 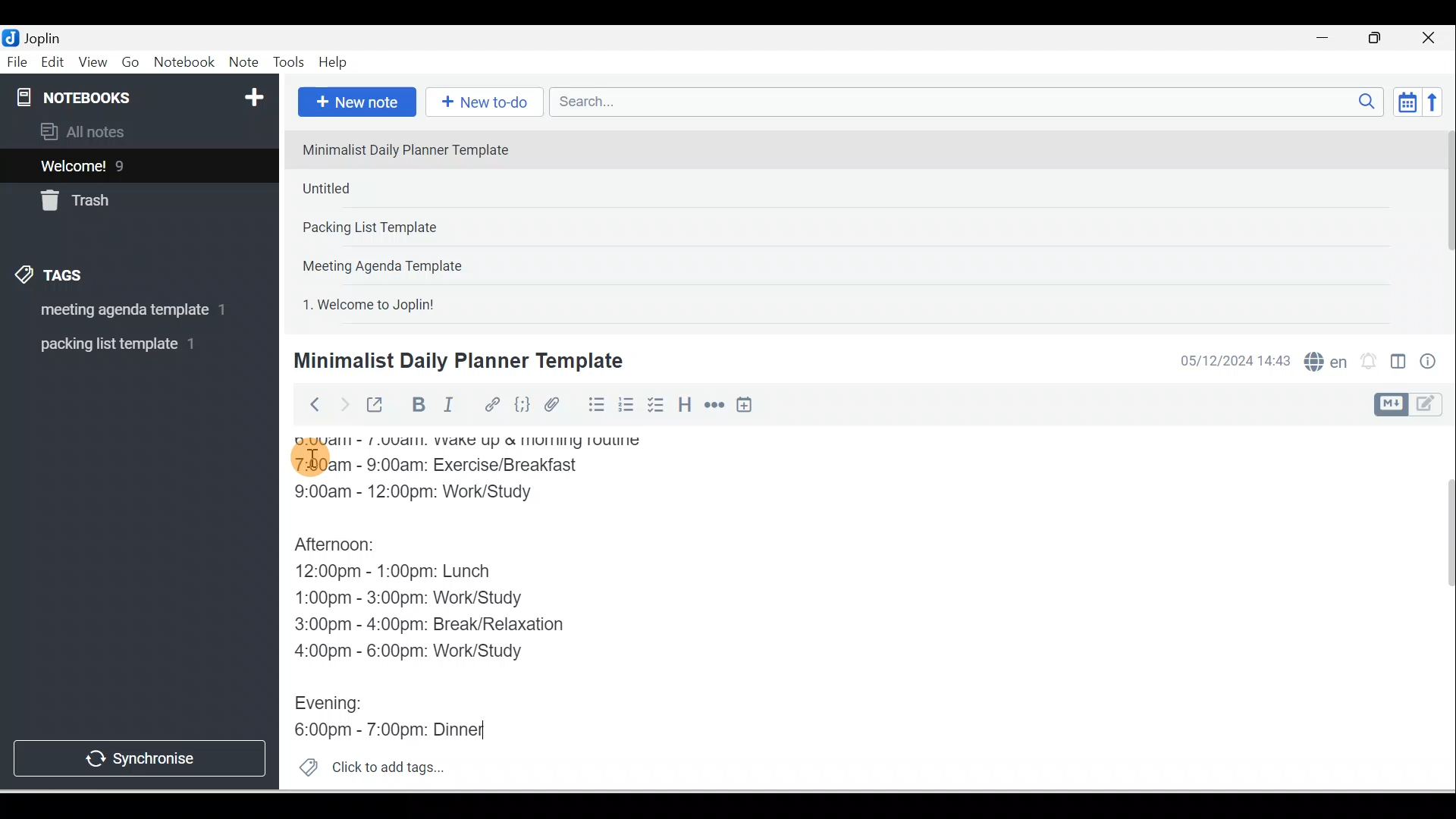 I want to click on New note, so click(x=354, y=103).